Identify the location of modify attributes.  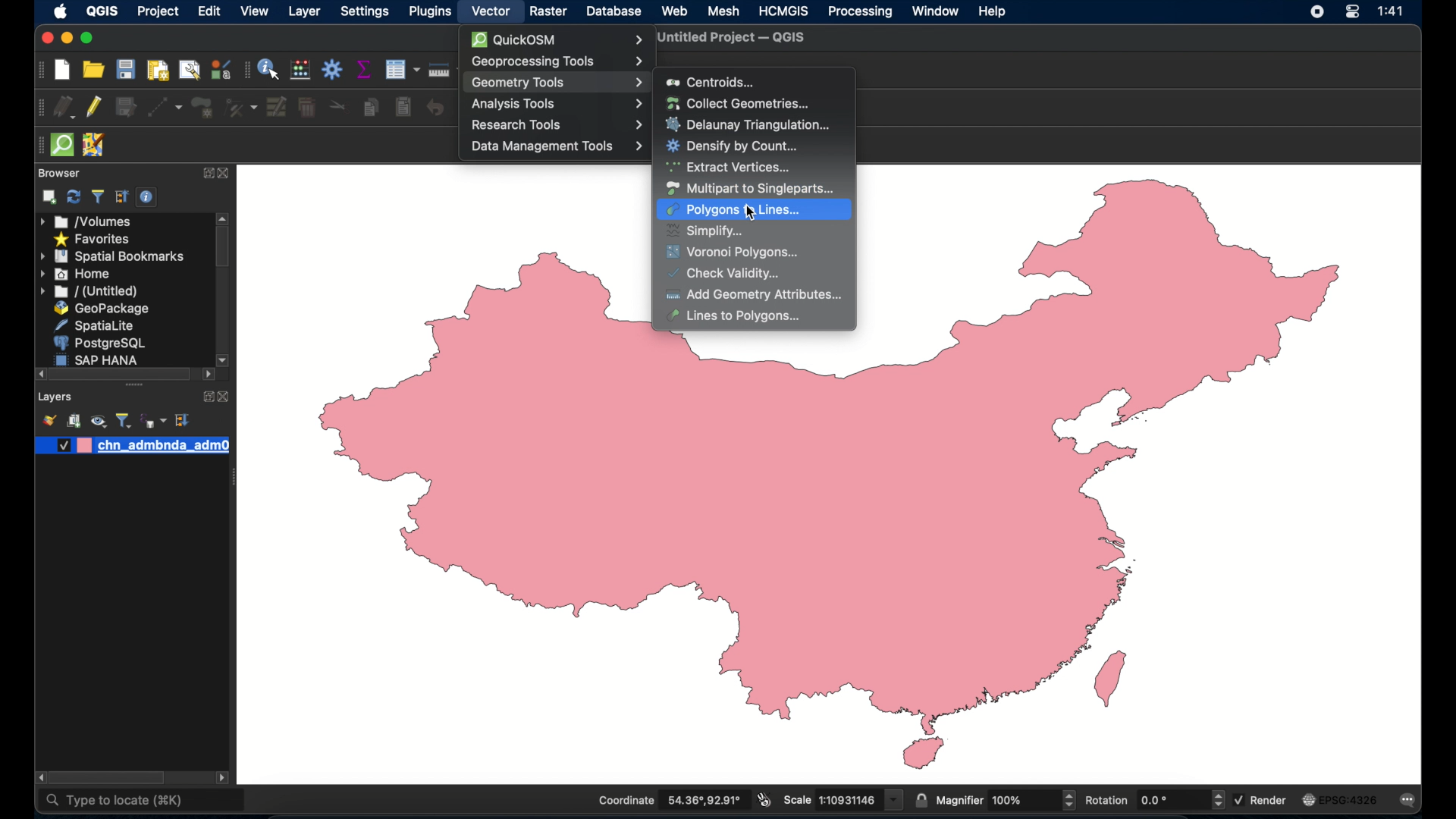
(401, 69).